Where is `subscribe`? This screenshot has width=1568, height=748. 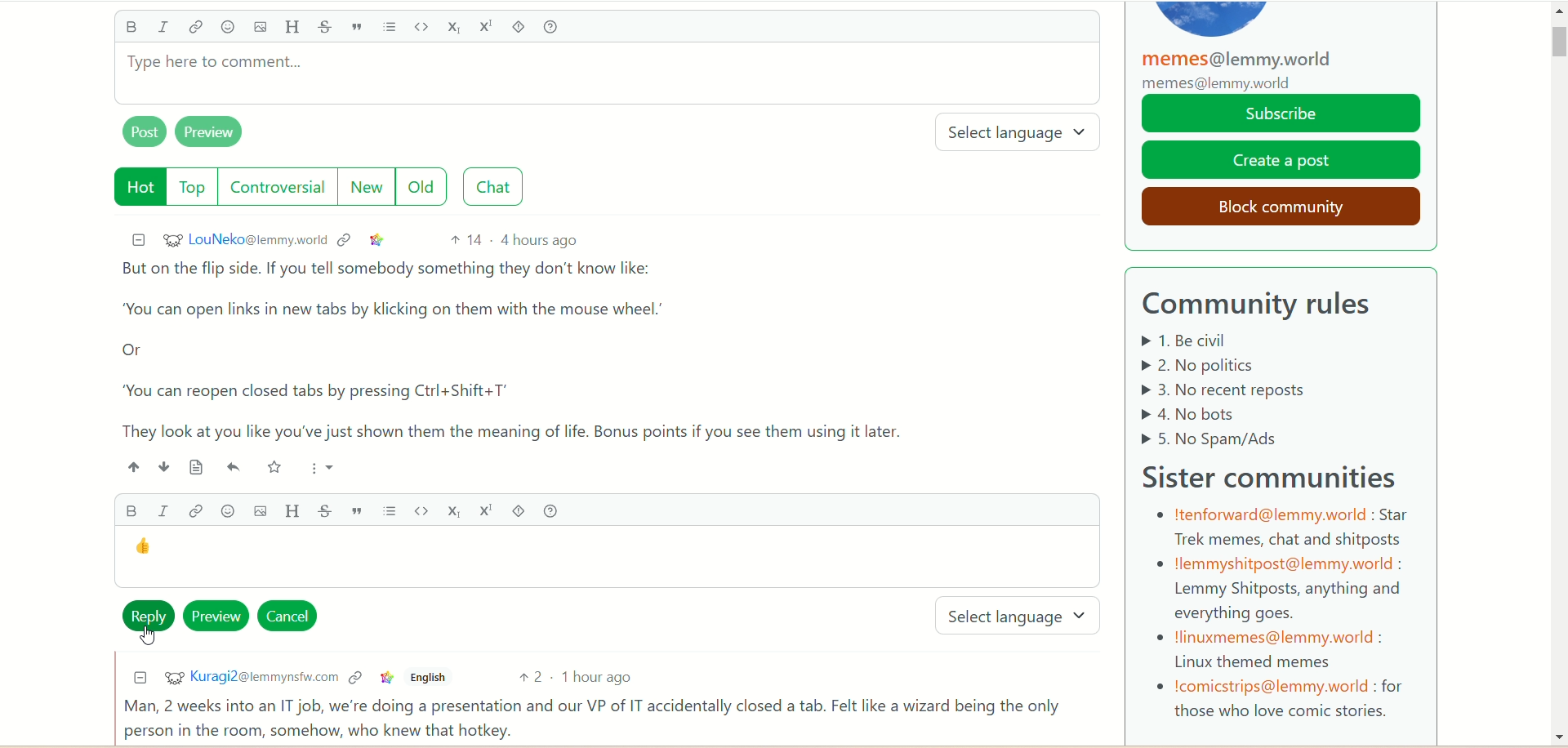
subscribe is located at coordinates (1282, 114).